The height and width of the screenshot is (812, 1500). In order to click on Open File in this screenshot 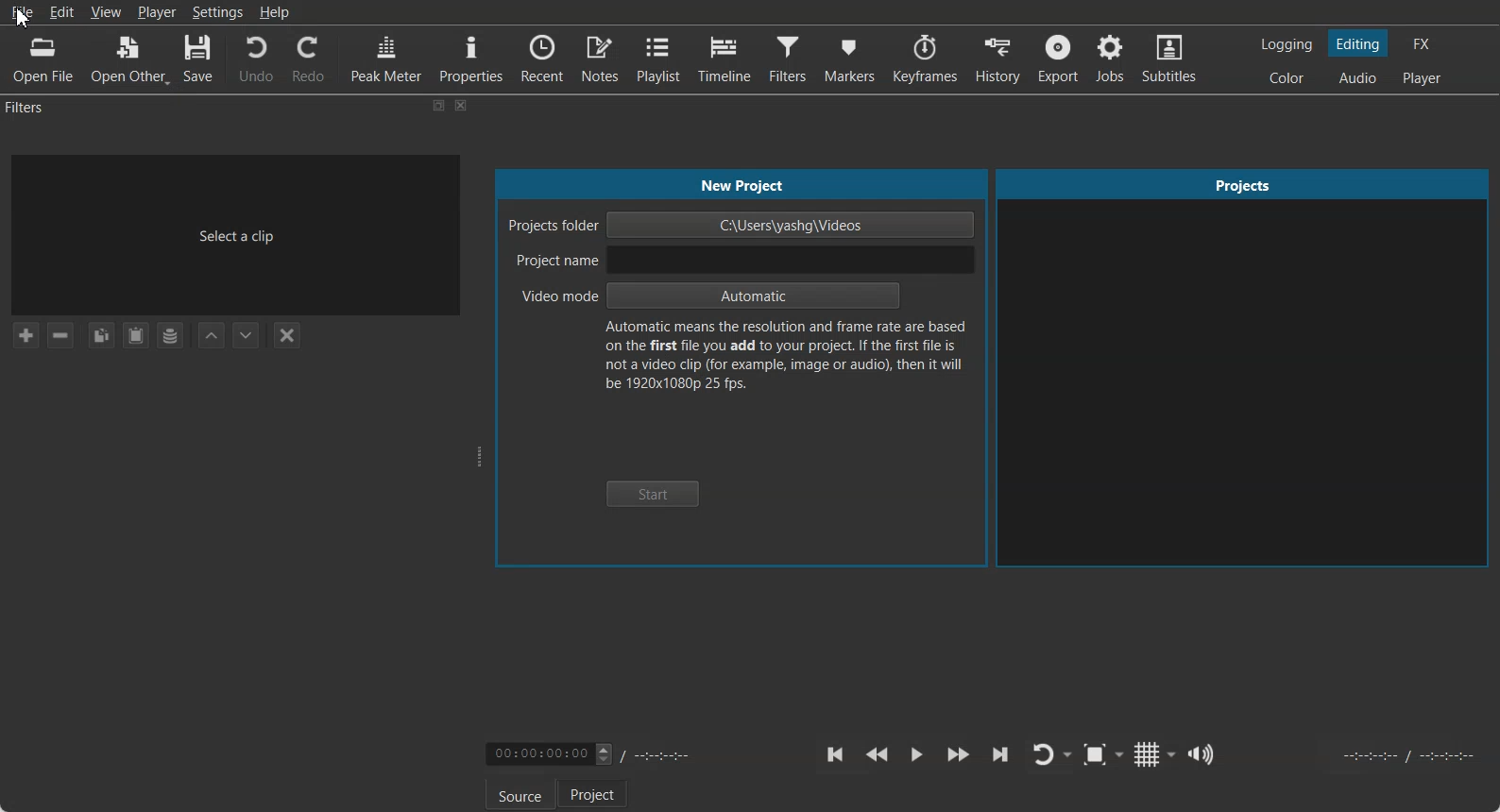, I will do `click(43, 60)`.